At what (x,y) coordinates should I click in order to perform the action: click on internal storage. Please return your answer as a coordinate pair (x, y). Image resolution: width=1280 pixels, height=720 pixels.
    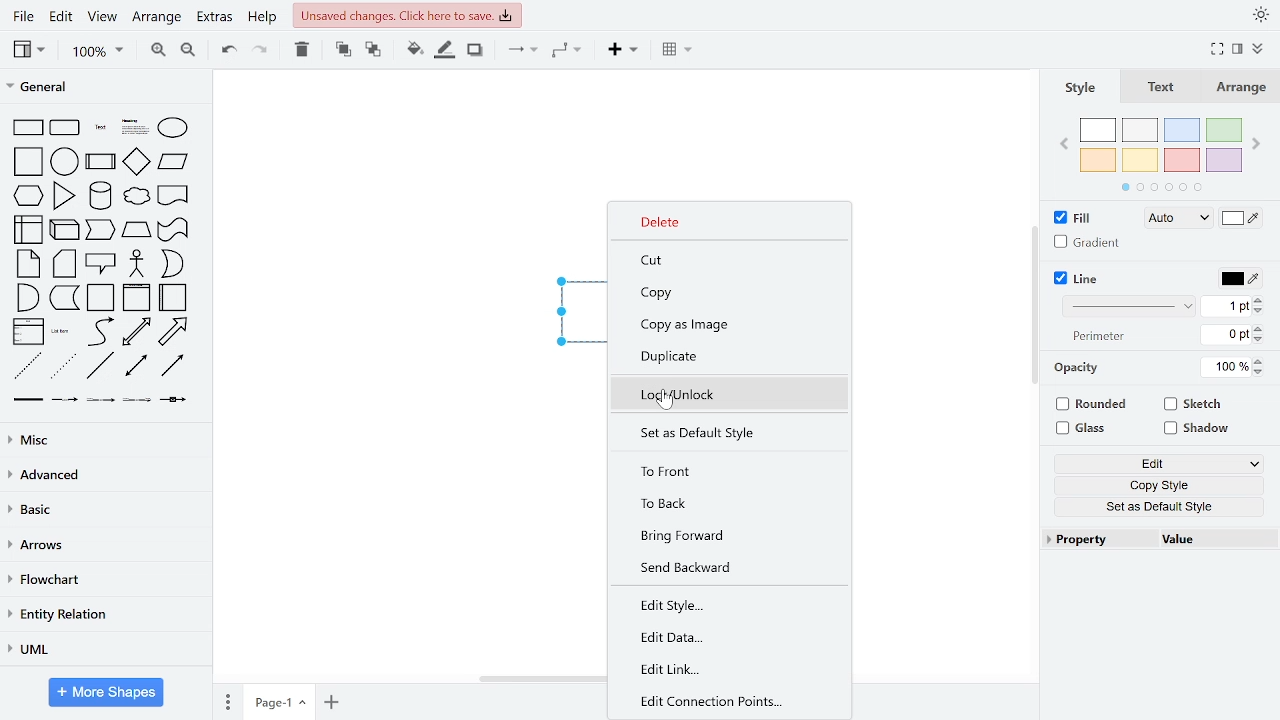
    Looking at the image, I should click on (47, 229).